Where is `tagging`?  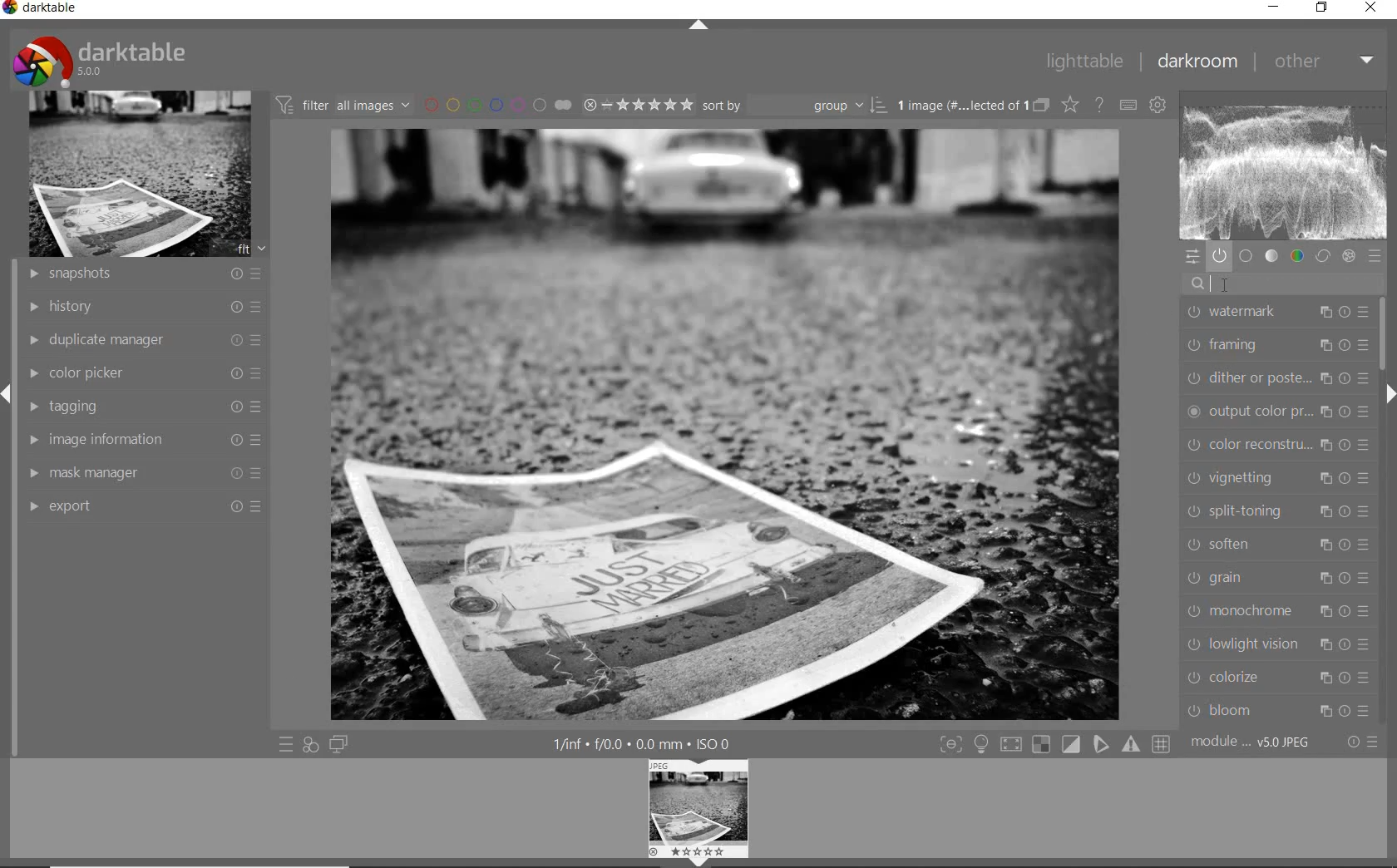
tagging is located at coordinates (142, 409).